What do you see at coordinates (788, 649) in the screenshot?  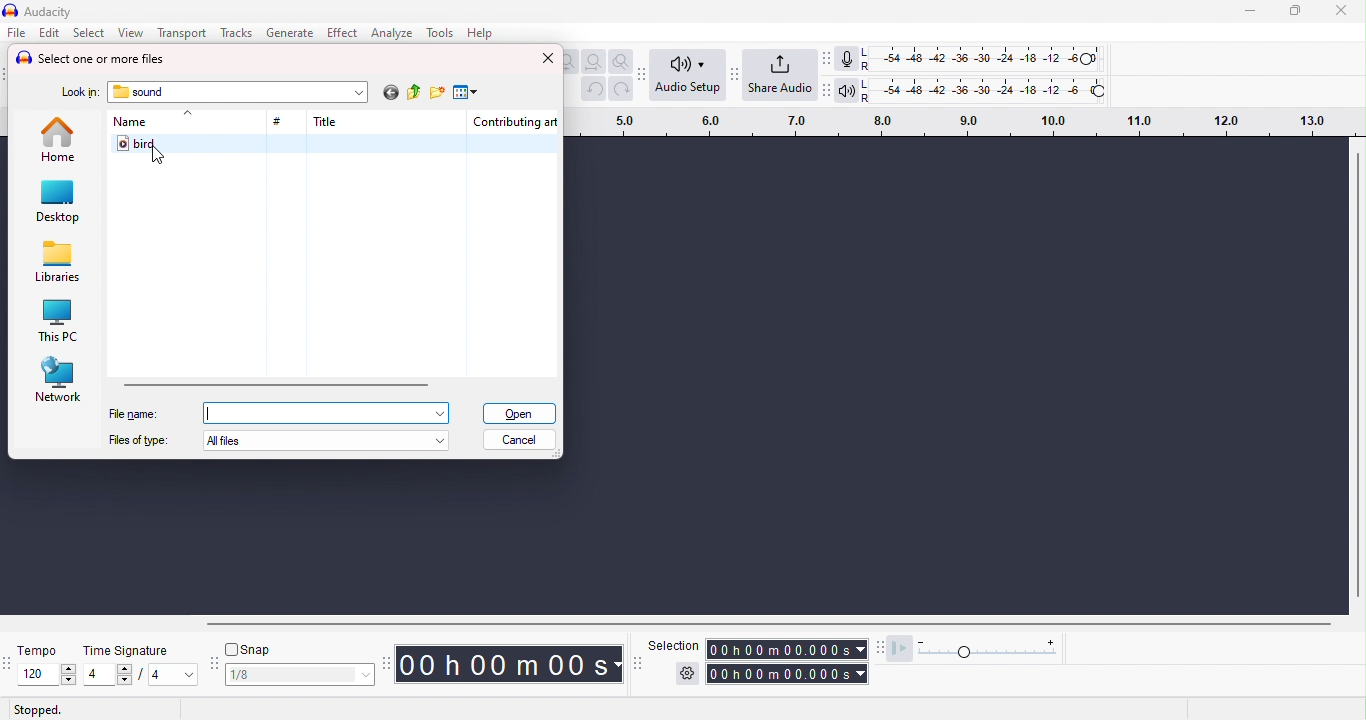 I see `selection time` at bounding box center [788, 649].